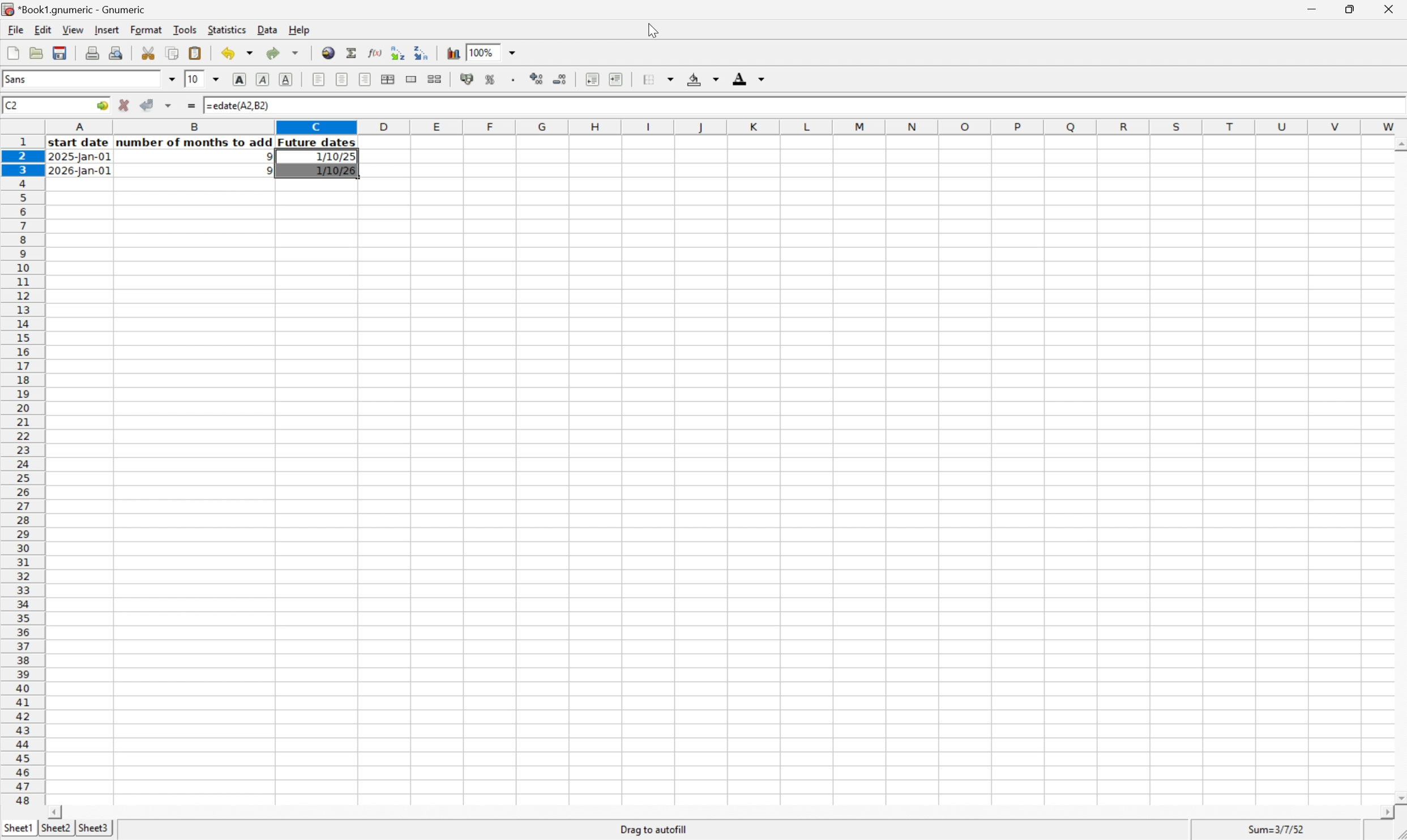 Image resolution: width=1407 pixels, height=840 pixels. What do you see at coordinates (1390, 7) in the screenshot?
I see `Close` at bounding box center [1390, 7].